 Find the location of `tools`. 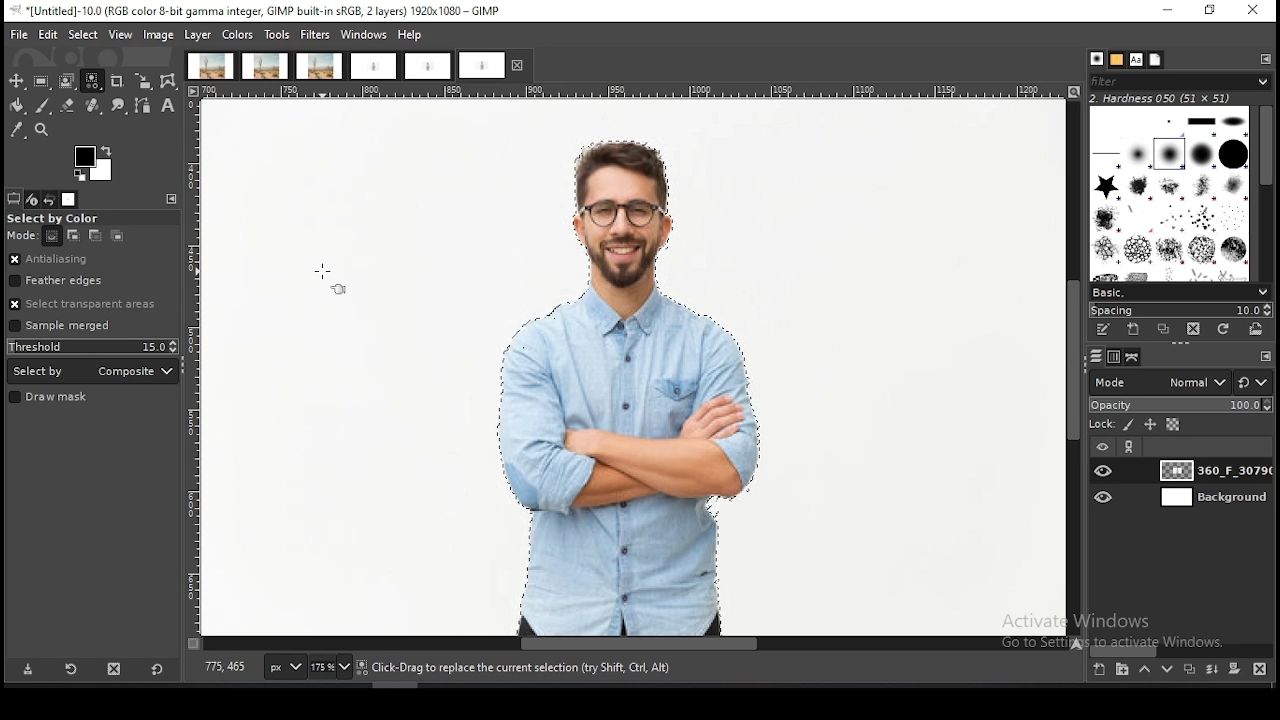

tools is located at coordinates (277, 36).